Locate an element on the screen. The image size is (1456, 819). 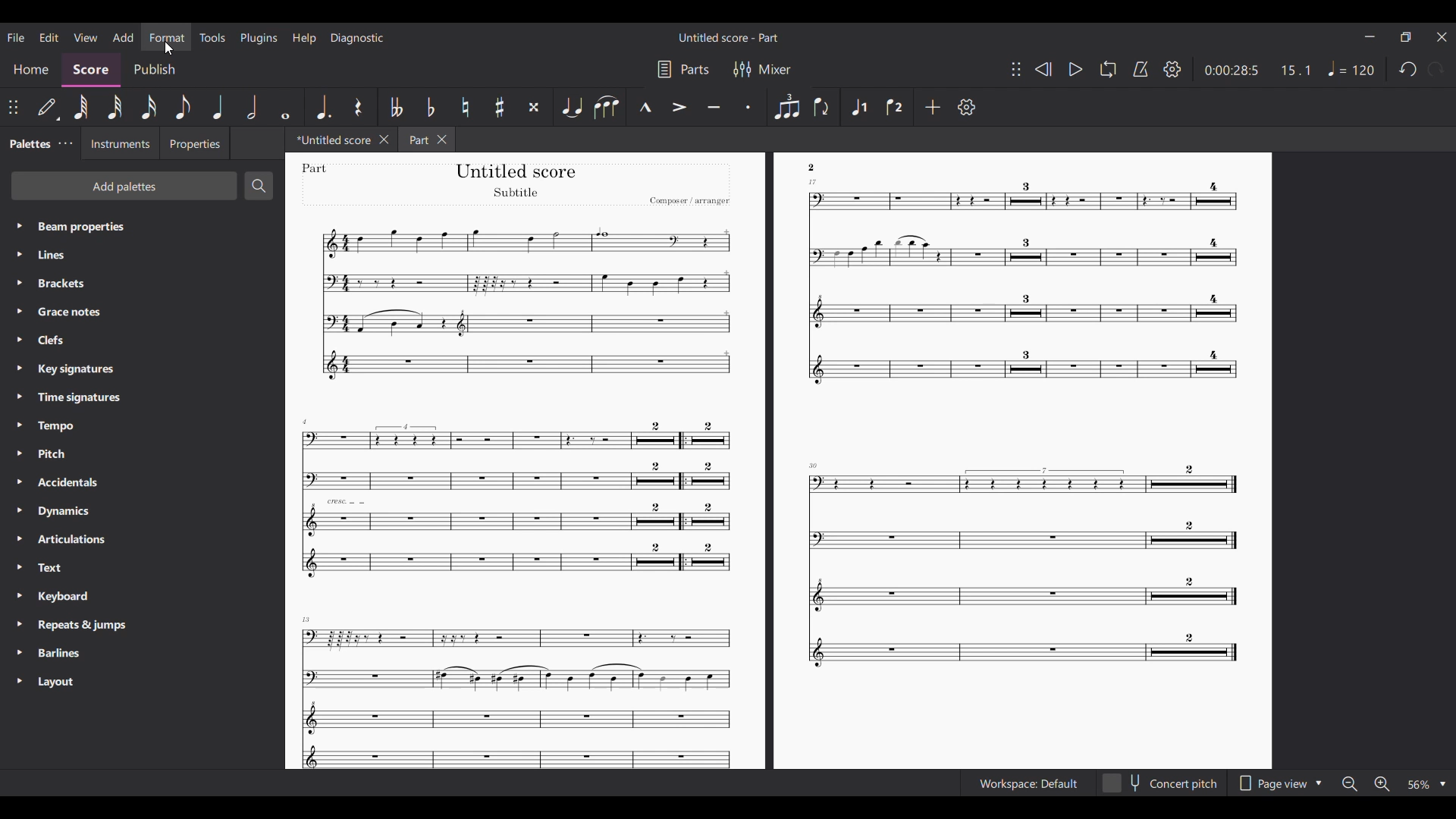
Play is located at coordinates (1076, 70).